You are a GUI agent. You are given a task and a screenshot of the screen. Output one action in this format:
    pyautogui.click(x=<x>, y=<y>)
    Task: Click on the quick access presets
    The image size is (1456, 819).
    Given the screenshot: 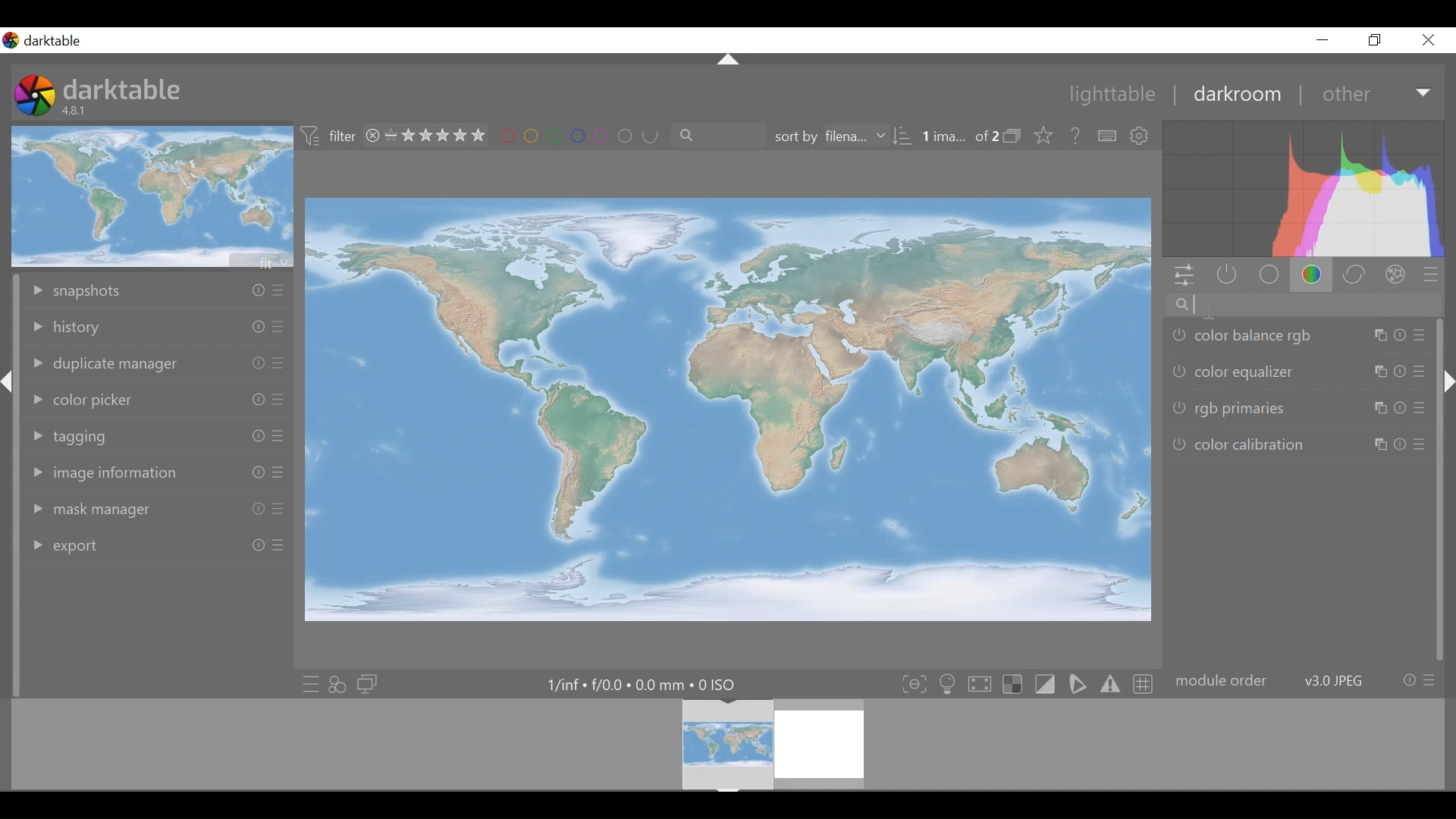 What is the action you would take?
    pyautogui.click(x=306, y=683)
    